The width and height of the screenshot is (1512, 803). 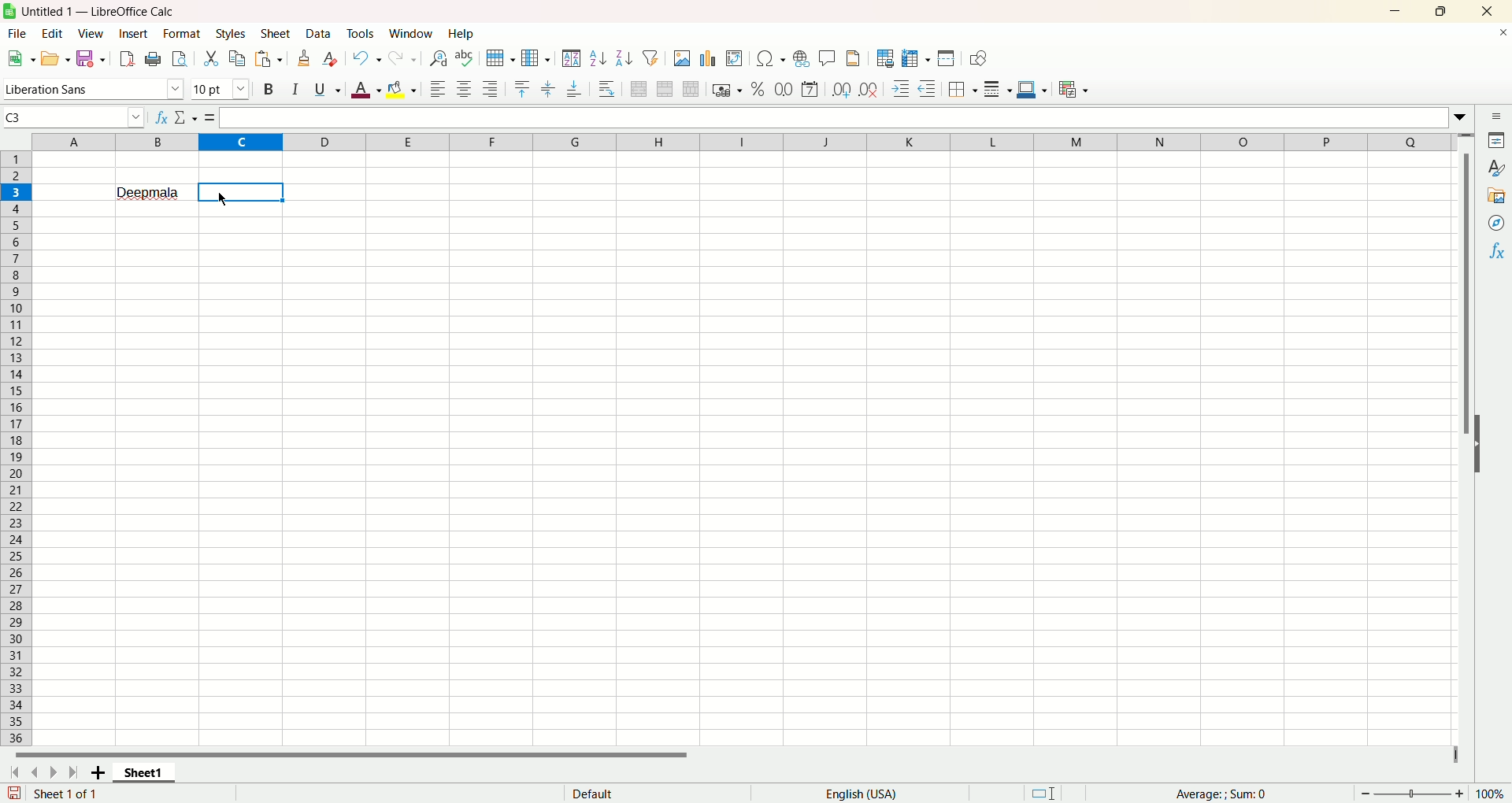 What do you see at coordinates (465, 90) in the screenshot?
I see `Align center` at bounding box center [465, 90].